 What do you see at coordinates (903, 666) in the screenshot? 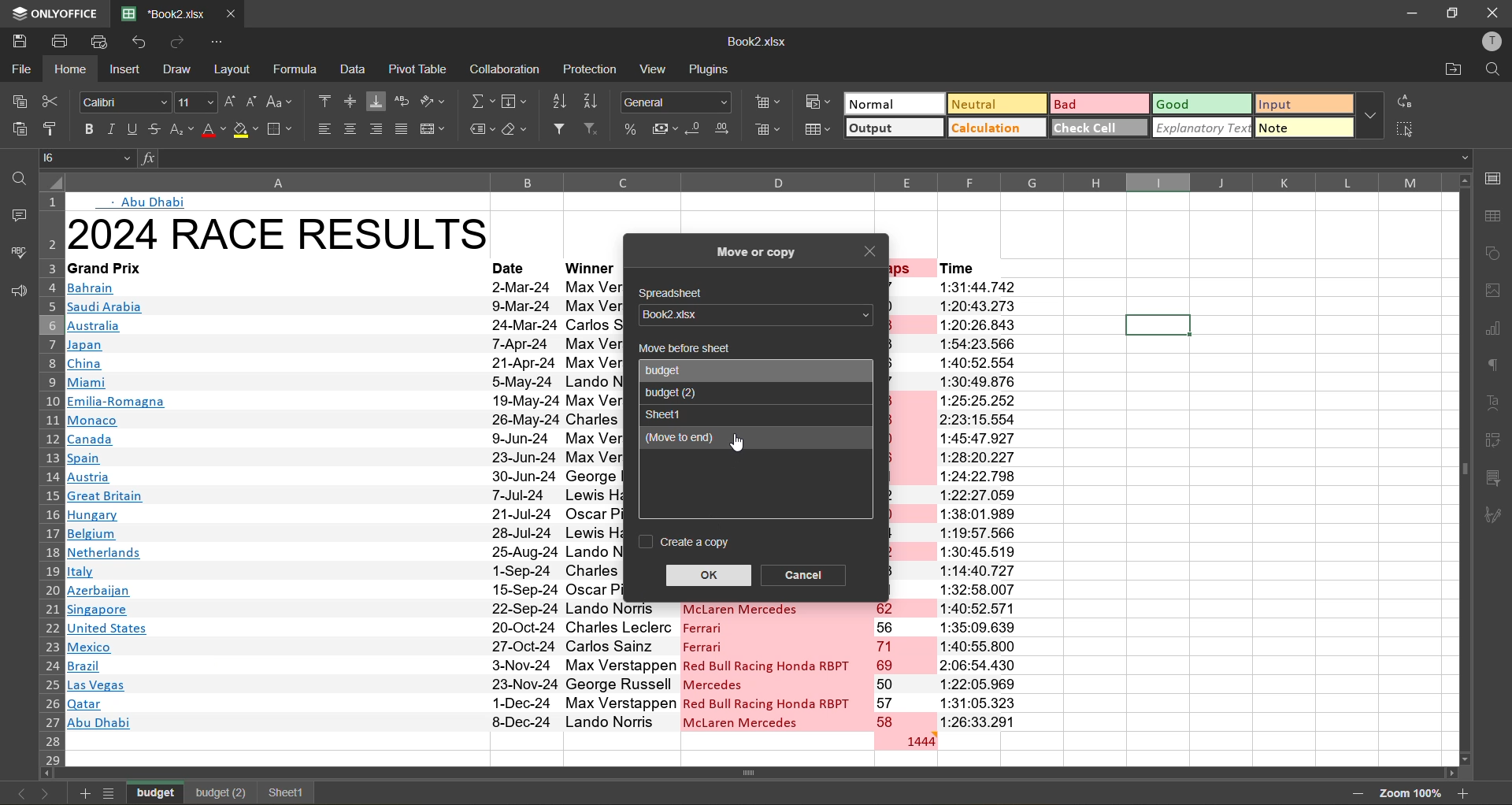
I see `laps` at bounding box center [903, 666].